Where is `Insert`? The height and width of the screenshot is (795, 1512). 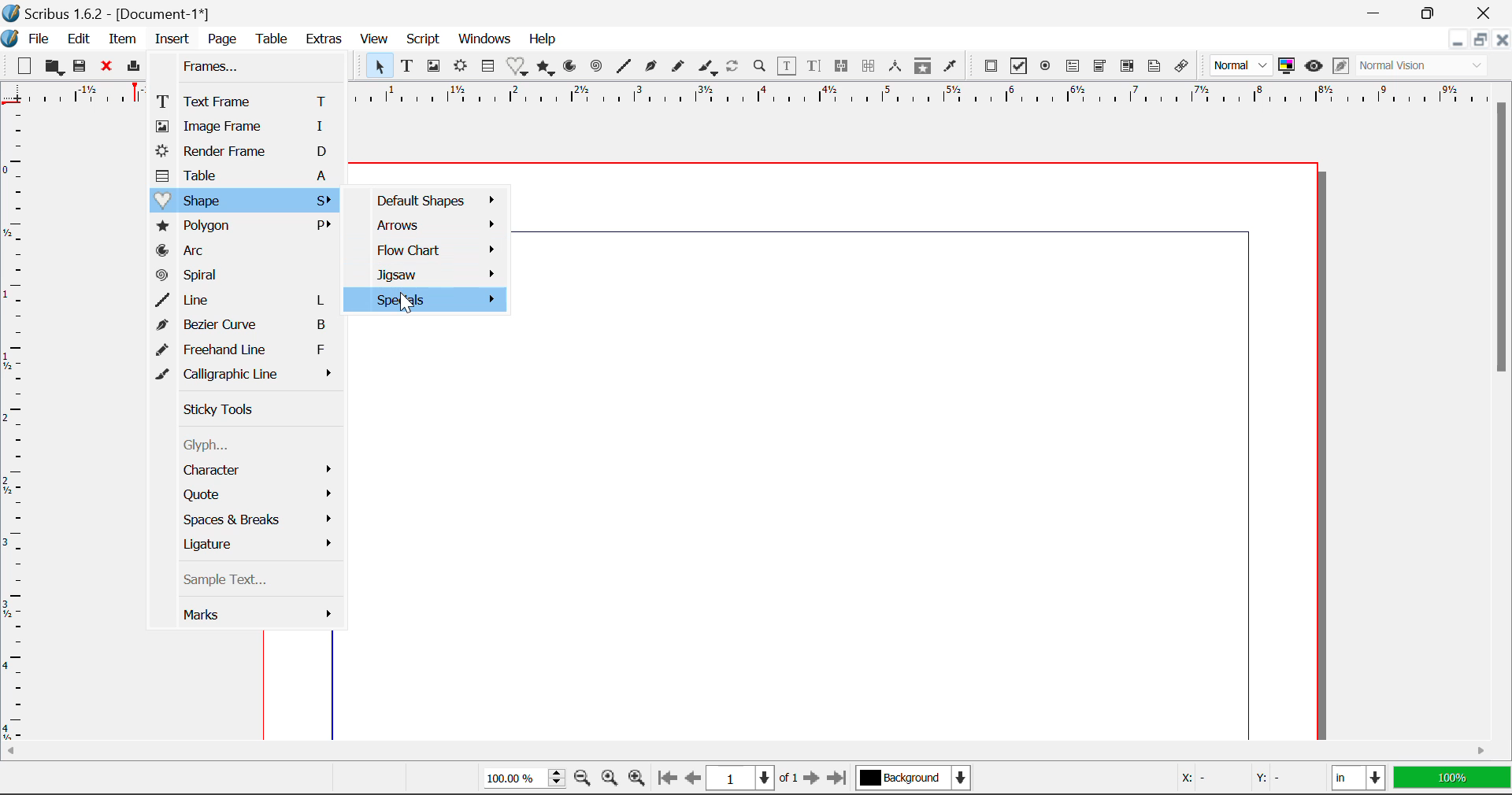 Insert is located at coordinates (170, 39).